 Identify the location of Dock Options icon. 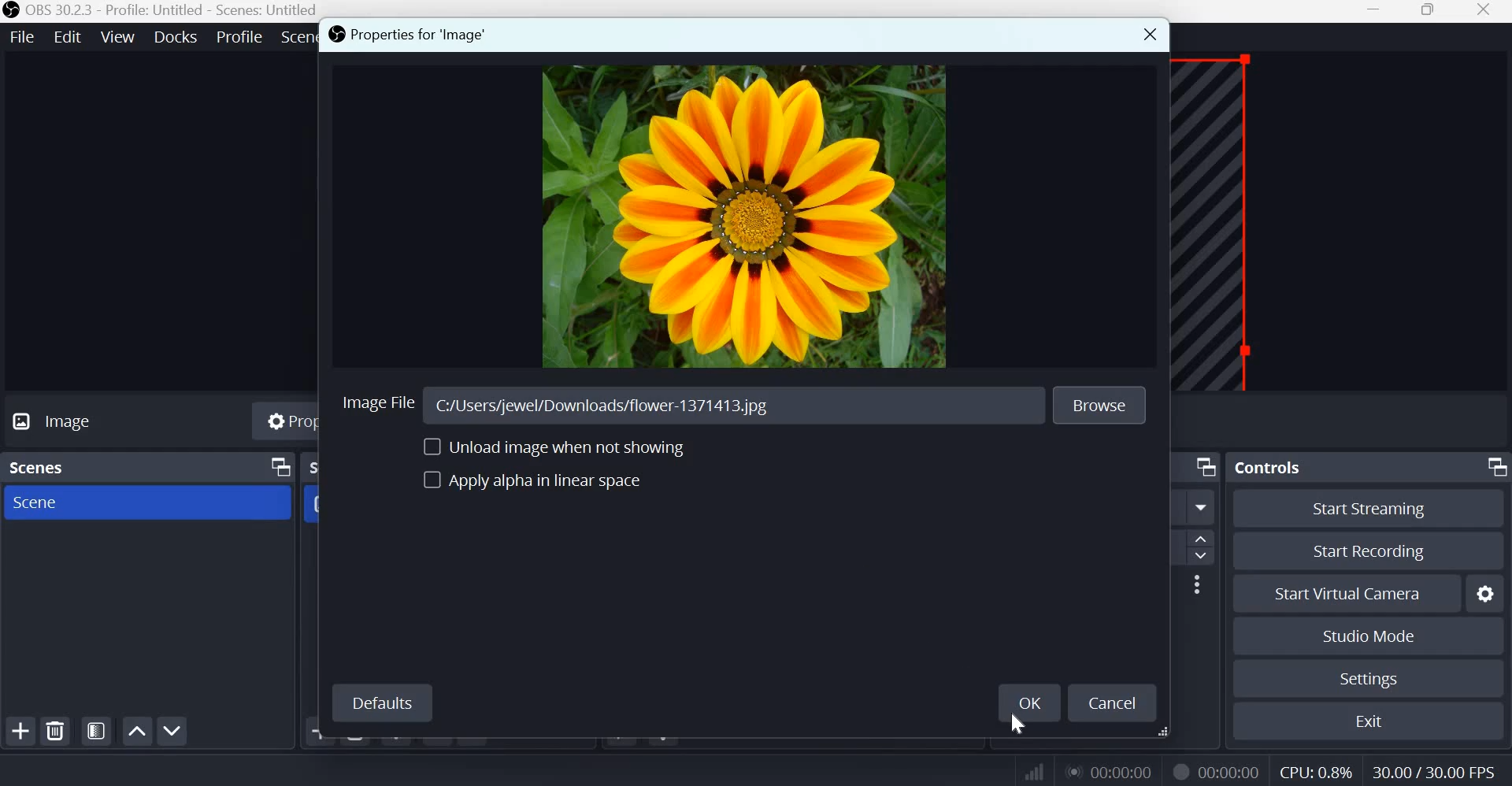
(276, 467).